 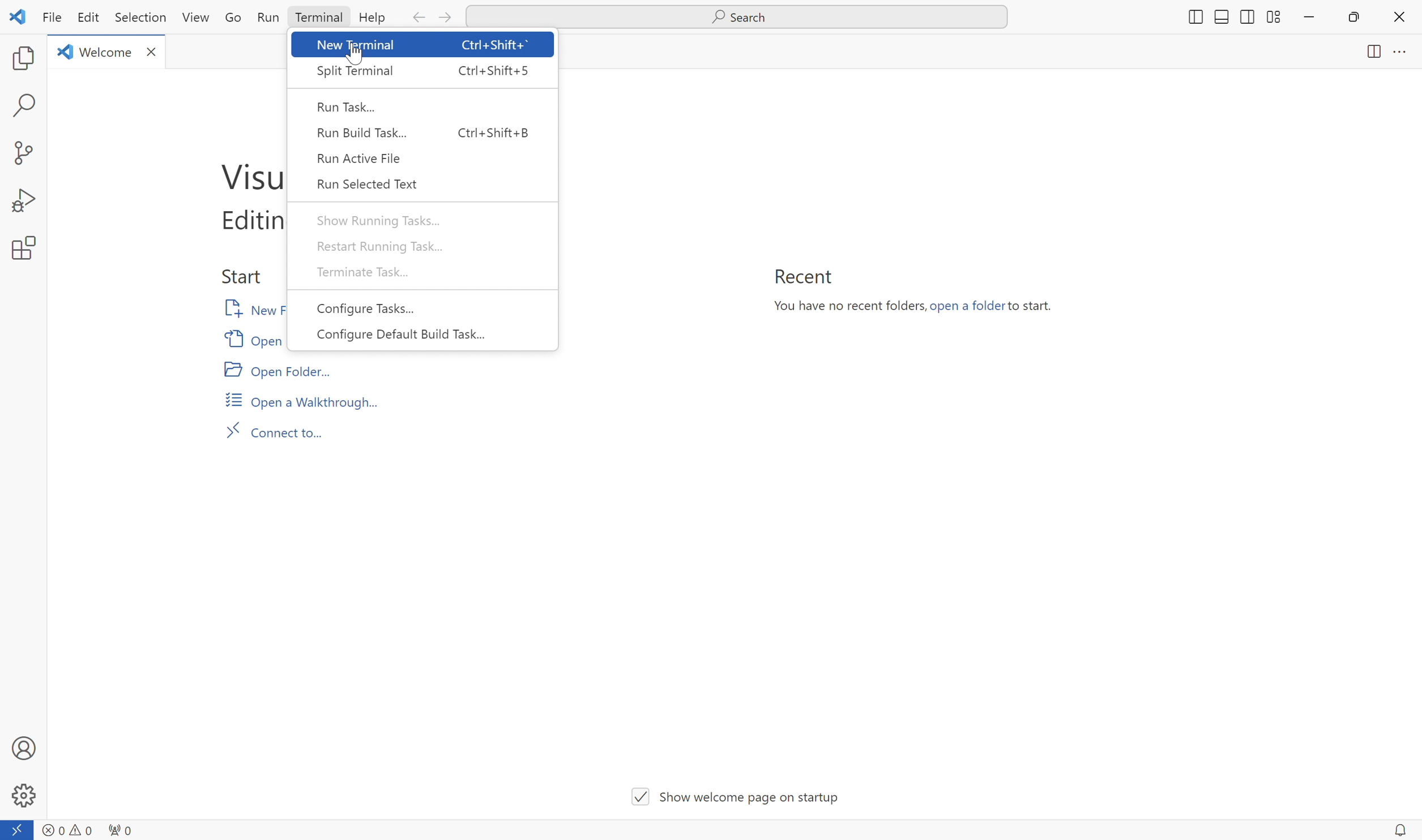 What do you see at coordinates (197, 17) in the screenshot?
I see `View` at bounding box center [197, 17].